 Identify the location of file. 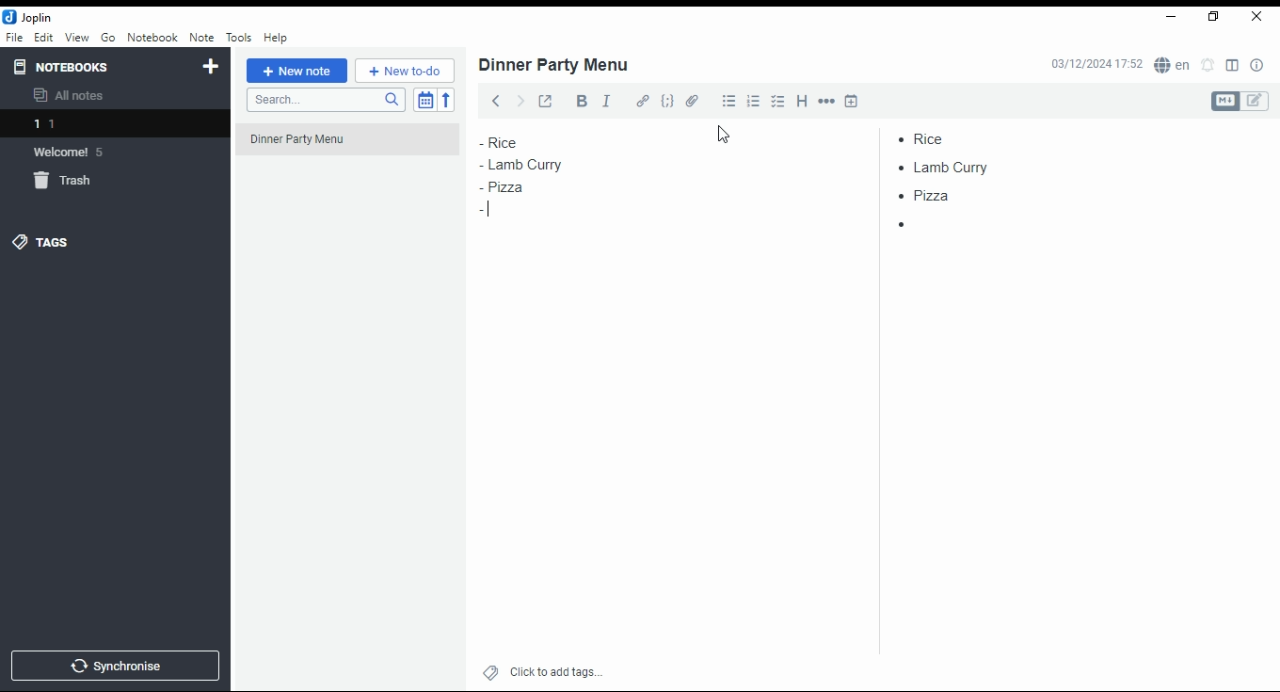
(14, 37).